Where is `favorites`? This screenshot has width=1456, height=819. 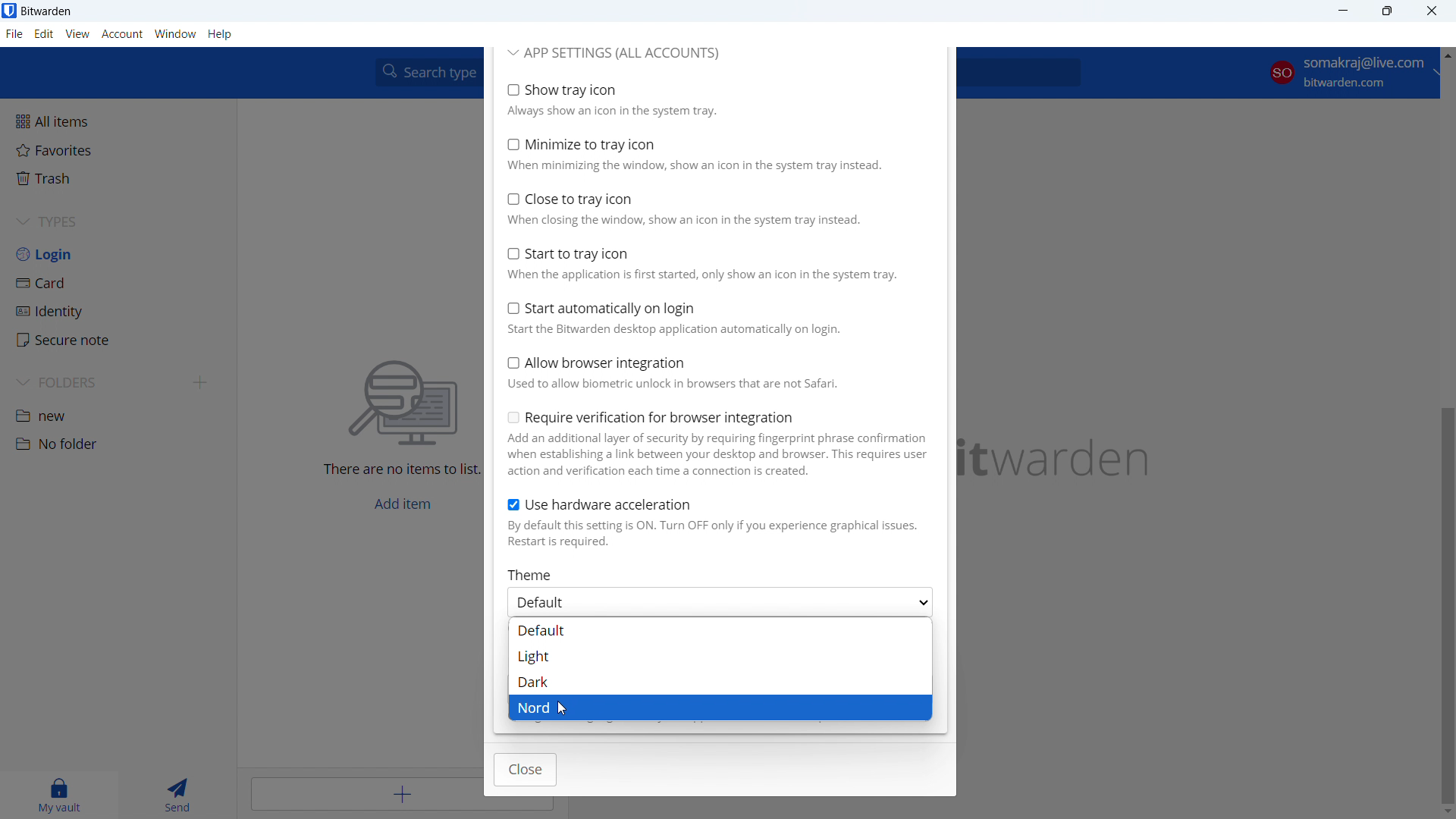 favorites is located at coordinates (116, 149).